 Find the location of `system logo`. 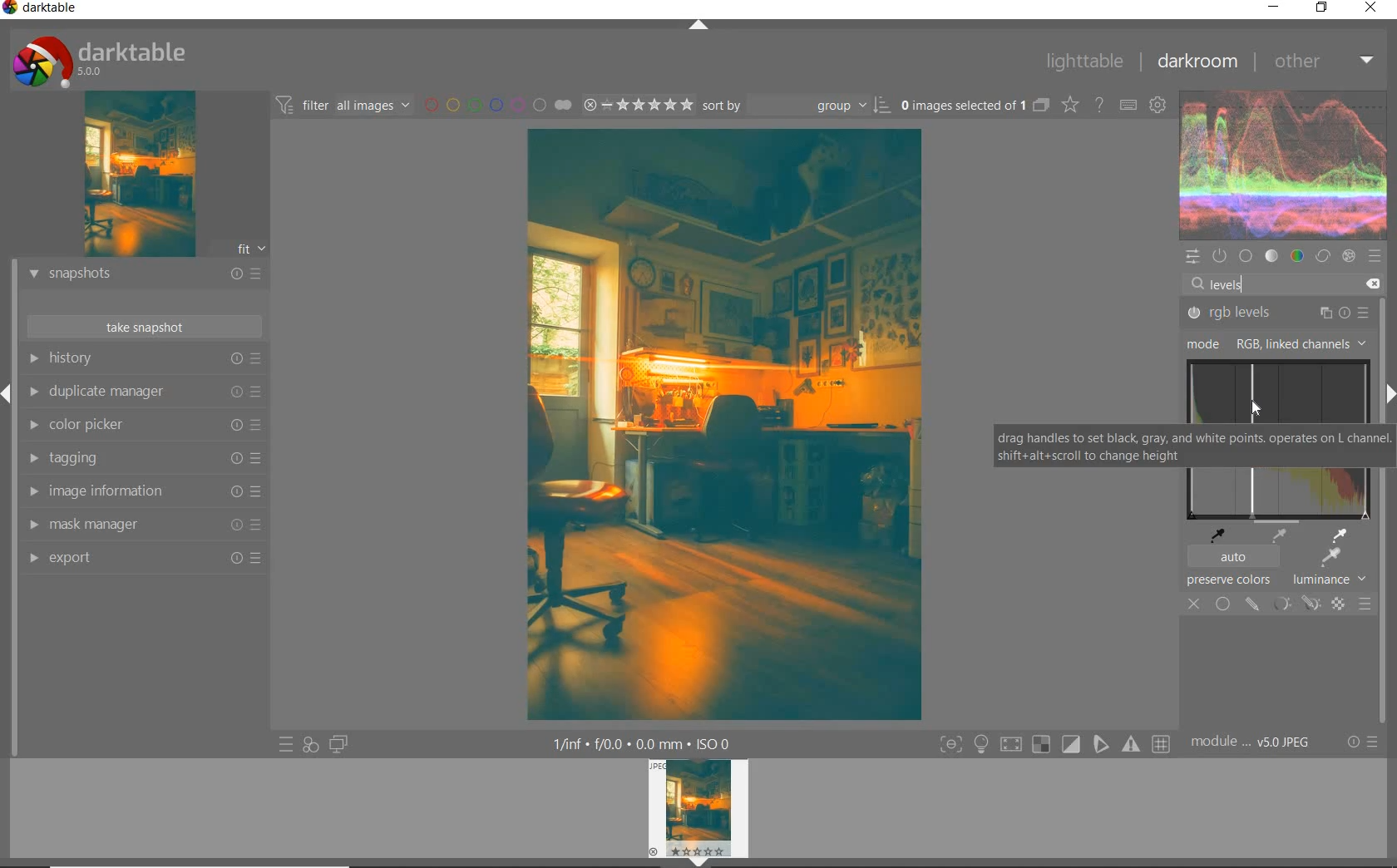

system logo is located at coordinates (96, 61).